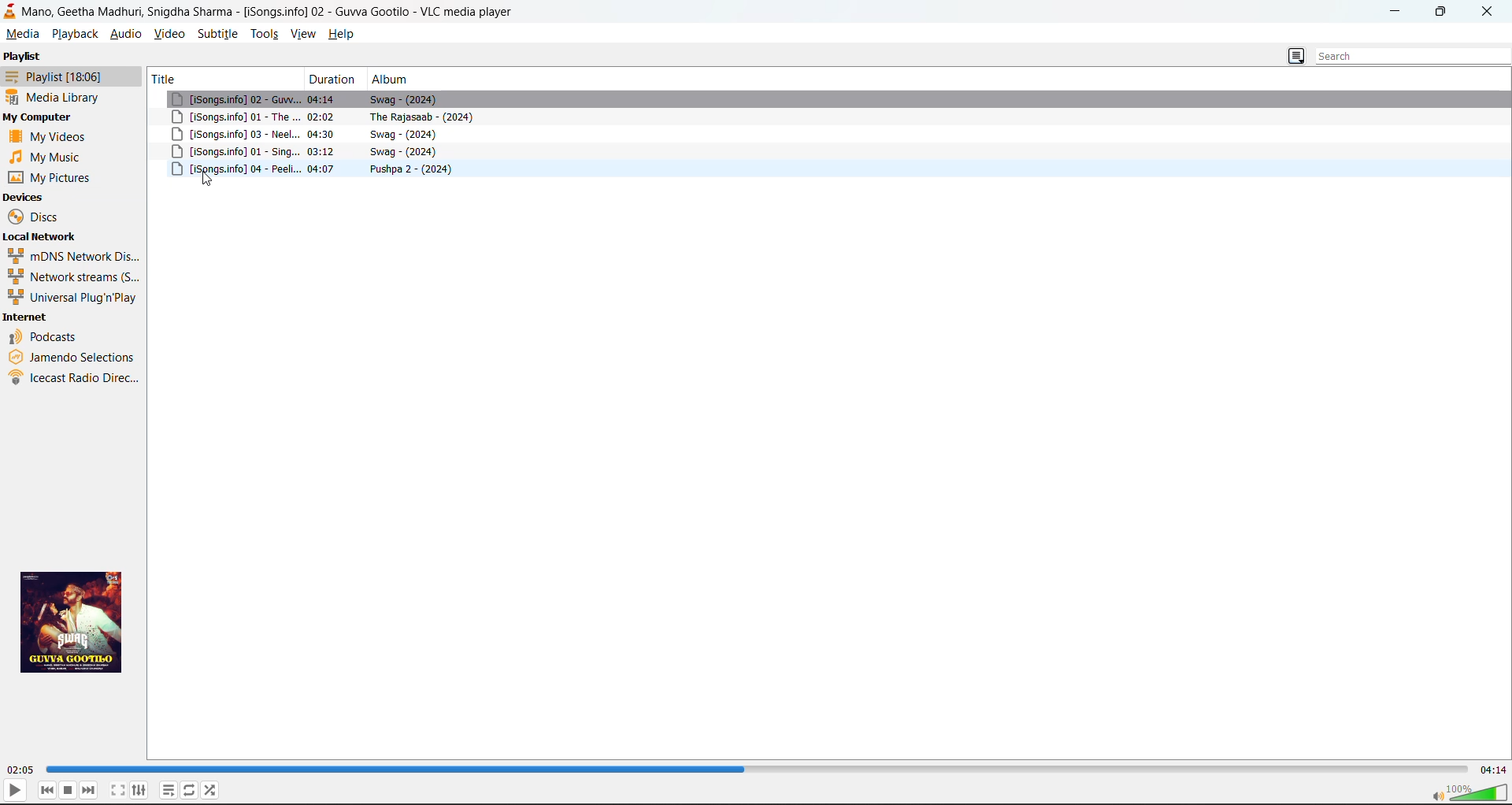  Describe the element at coordinates (830, 135) in the screenshot. I see `song` at that location.